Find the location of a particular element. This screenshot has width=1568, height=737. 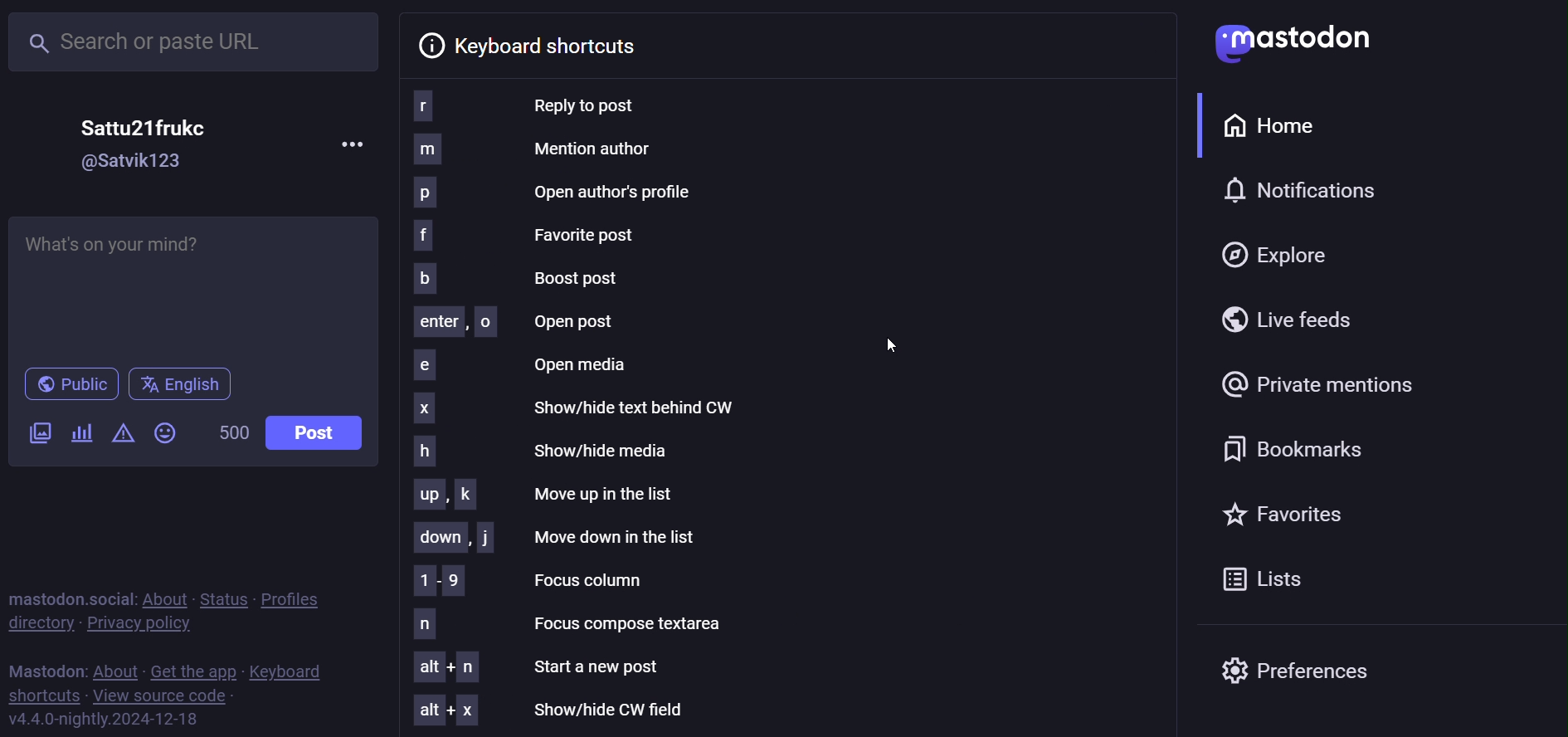

favorites is located at coordinates (1281, 511).